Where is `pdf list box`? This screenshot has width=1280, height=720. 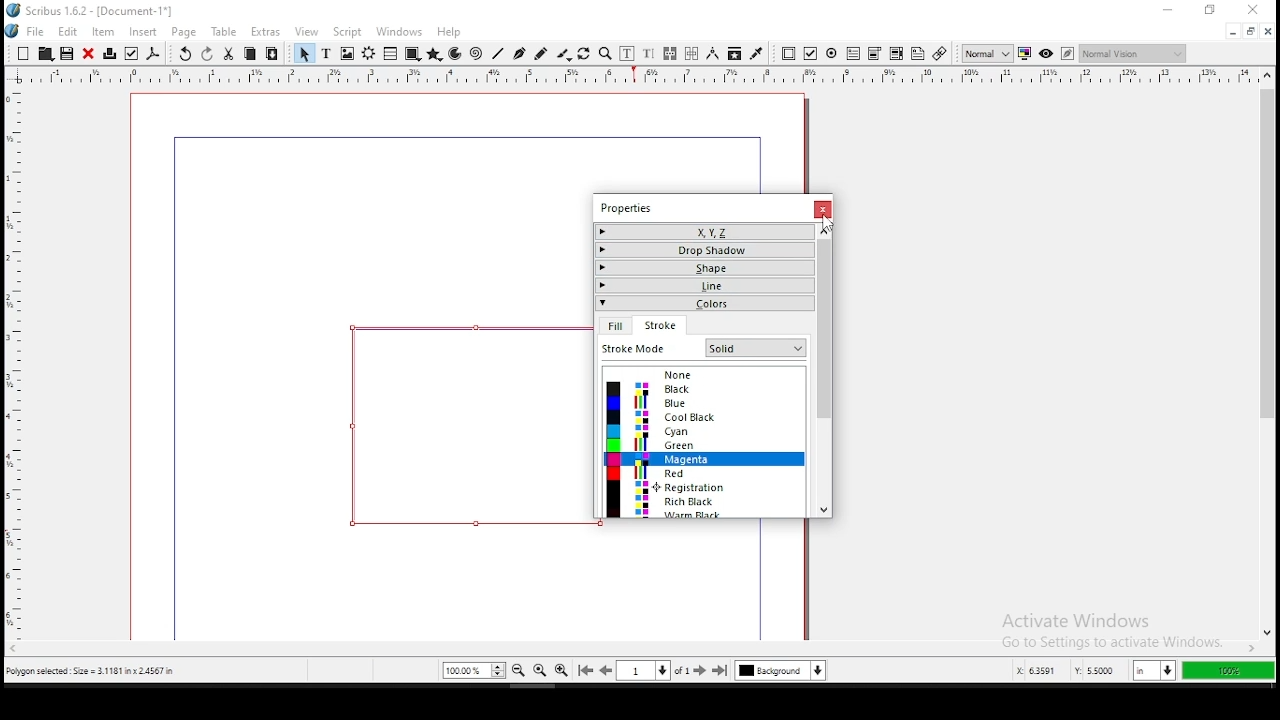
pdf list box is located at coordinates (876, 55).